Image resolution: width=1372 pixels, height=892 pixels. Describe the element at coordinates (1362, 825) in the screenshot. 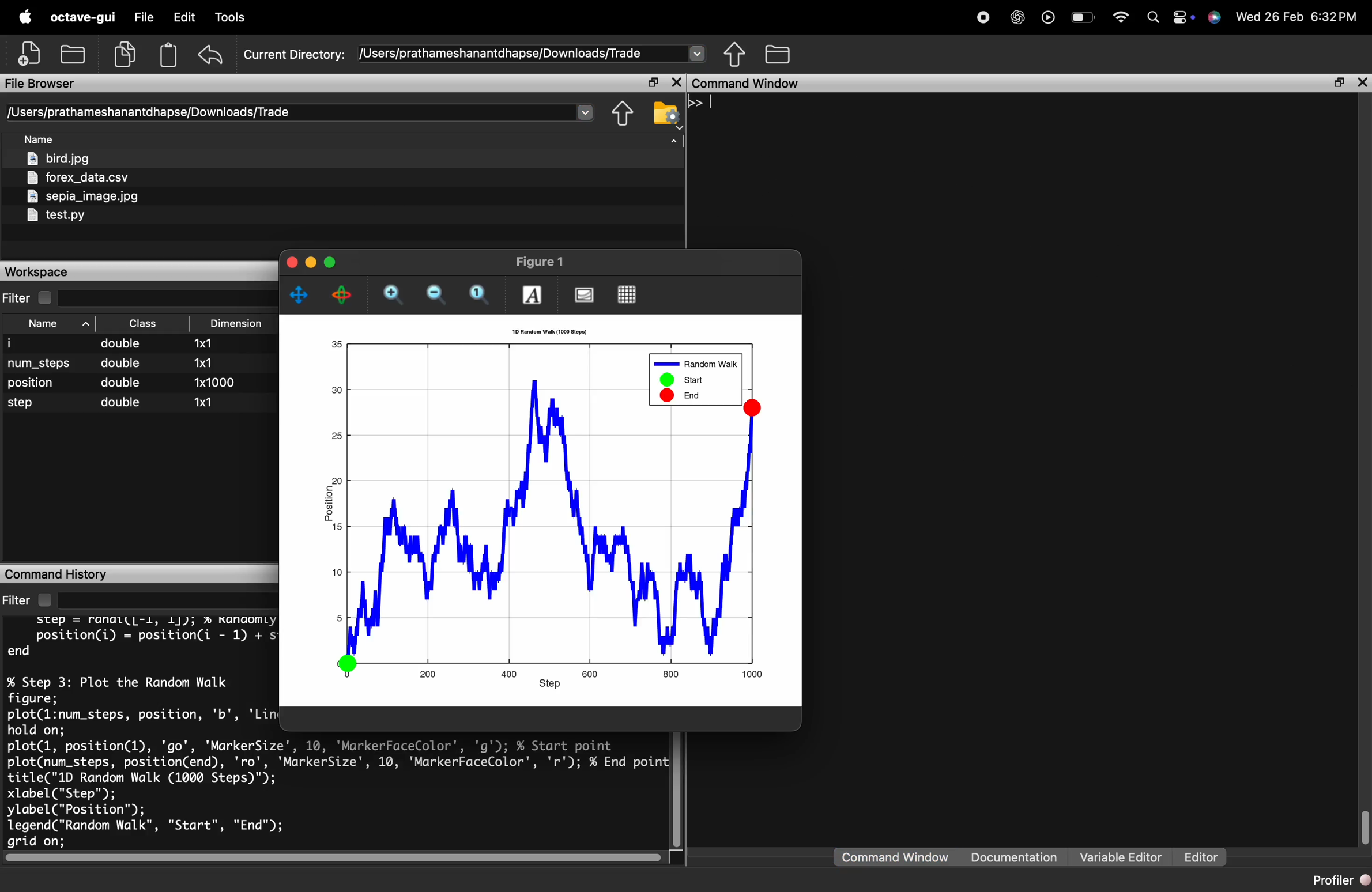

I see `vertical scrollbar` at that location.